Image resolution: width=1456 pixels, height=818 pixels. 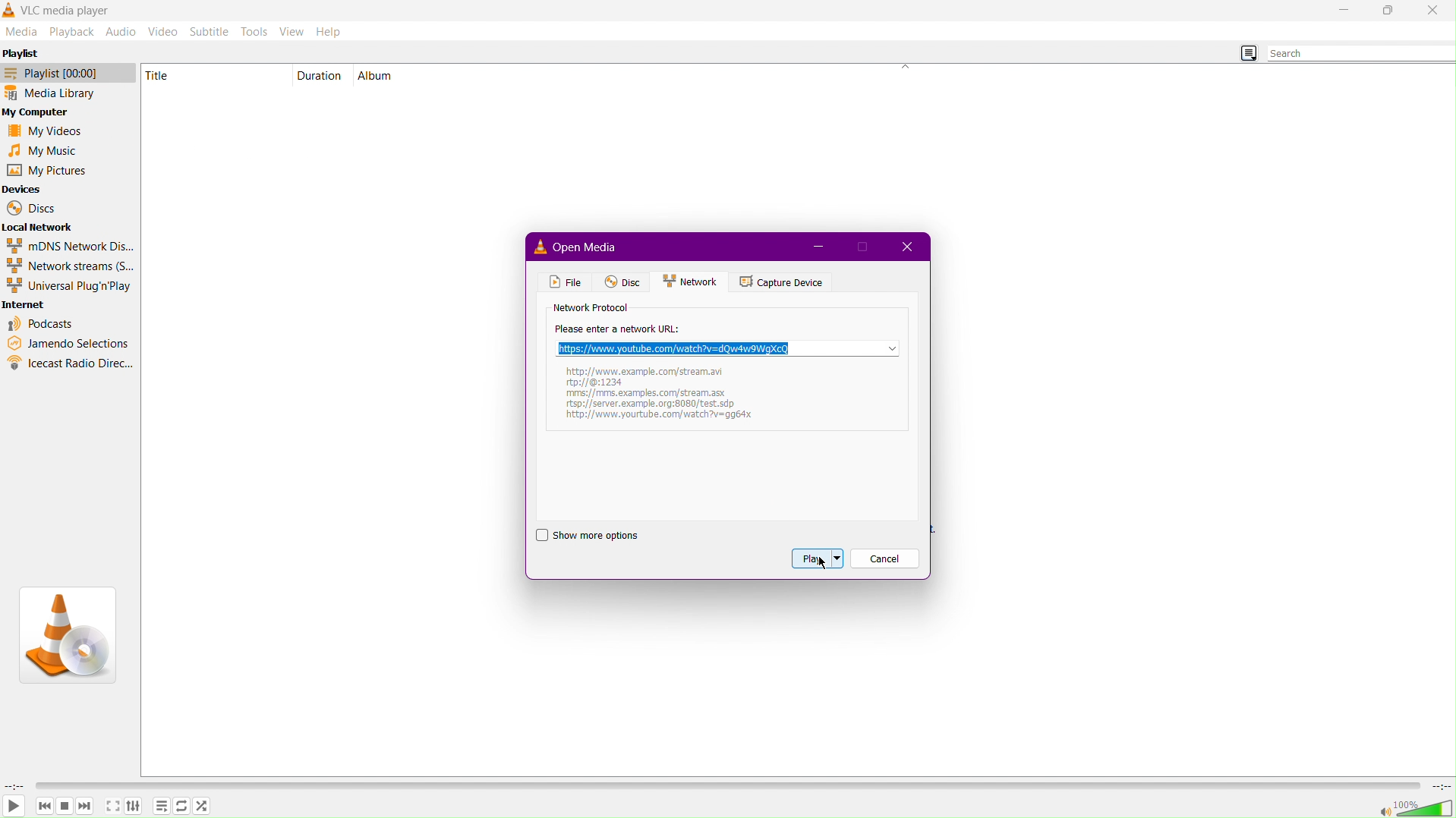 What do you see at coordinates (782, 282) in the screenshot?
I see `Capture Device` at bounding box center [782, 282].